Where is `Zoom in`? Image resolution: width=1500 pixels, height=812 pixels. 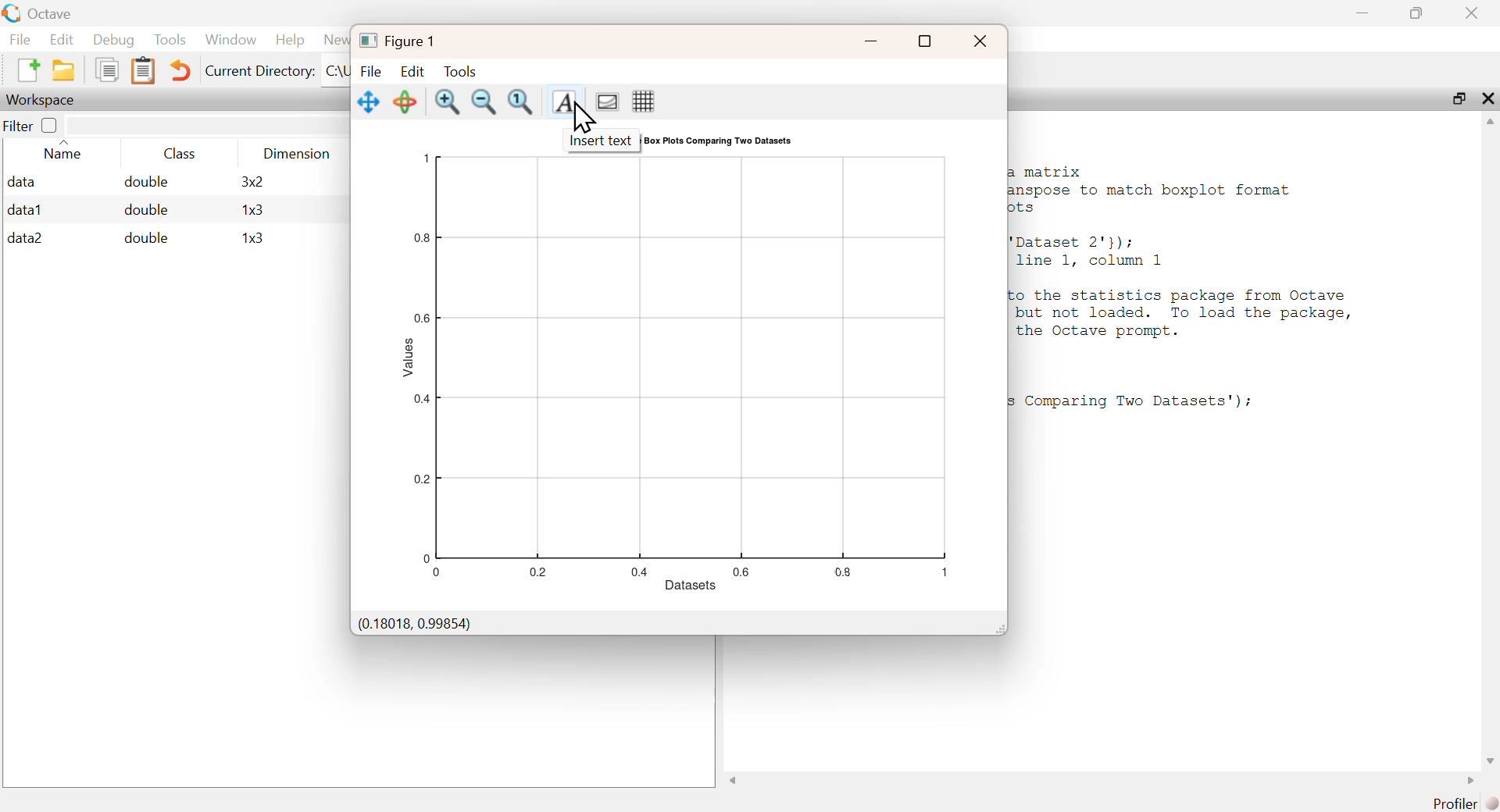 Zoom in is located at coordinates (448, 102).